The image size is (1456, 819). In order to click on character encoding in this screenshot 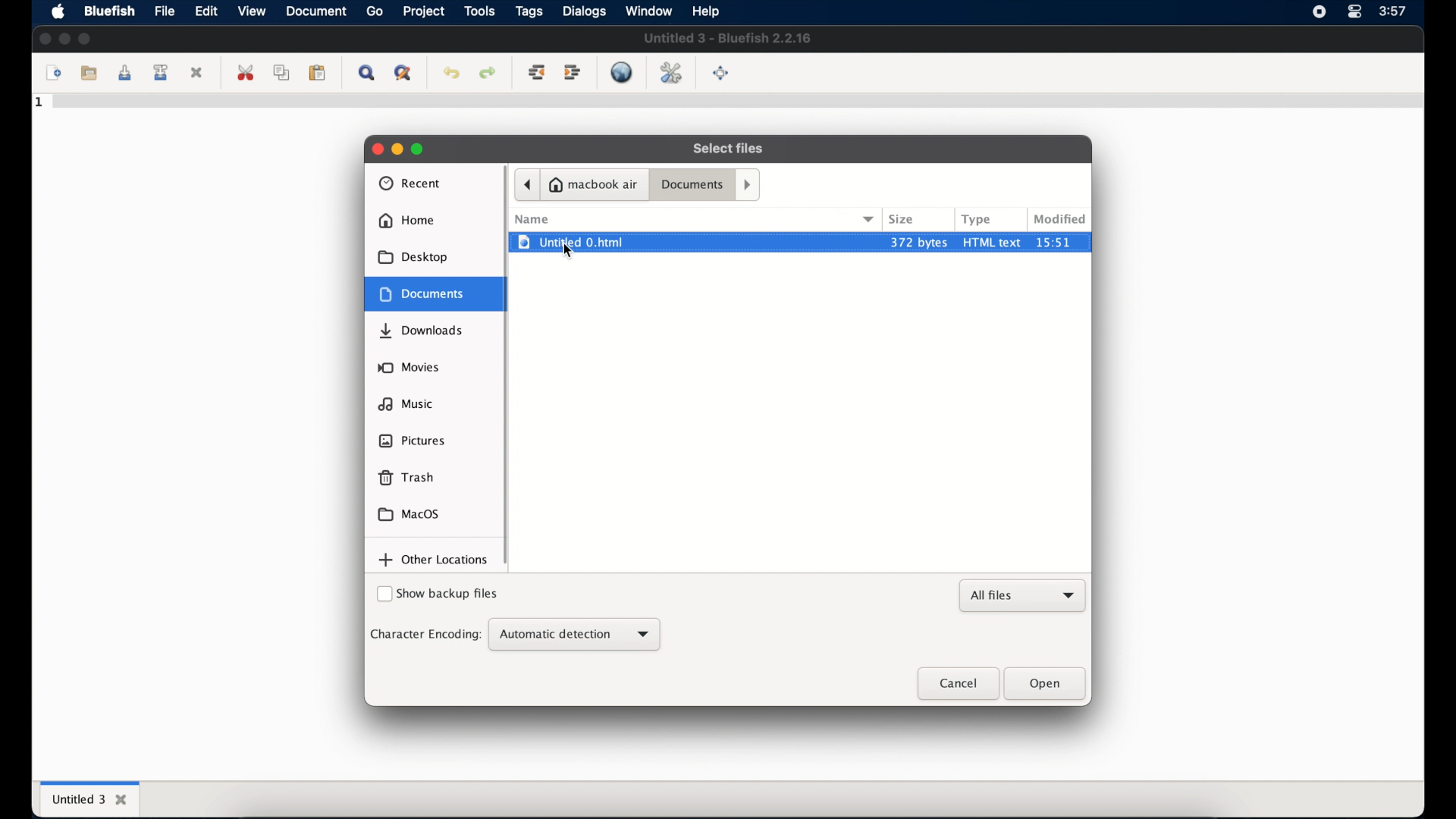, I will do `click(425, 634)`.